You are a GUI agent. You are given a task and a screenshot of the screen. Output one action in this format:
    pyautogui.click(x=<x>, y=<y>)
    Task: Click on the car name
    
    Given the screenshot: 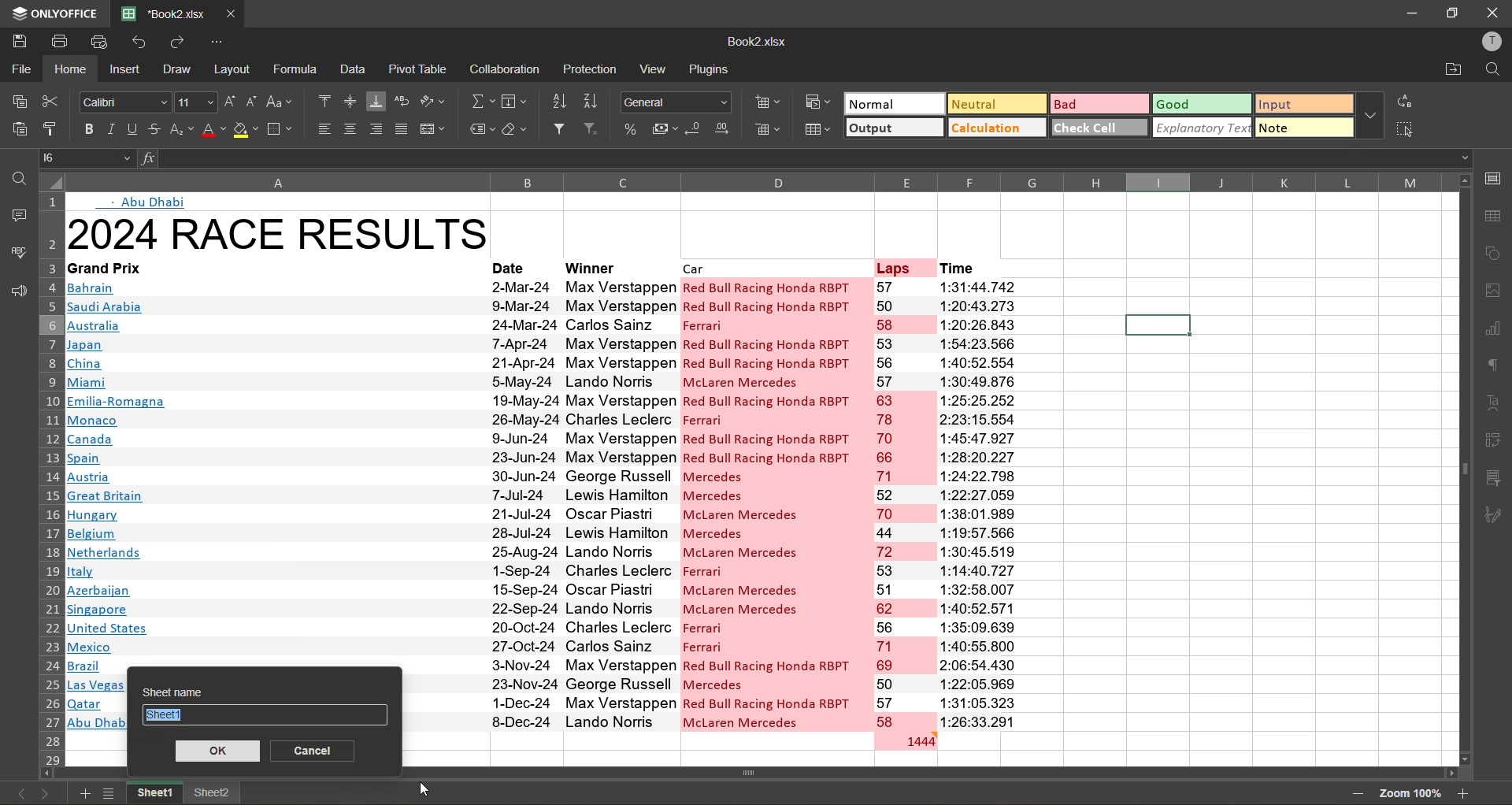 What is the action you would take?
    pyautogui.click(x=775, y=503)
    